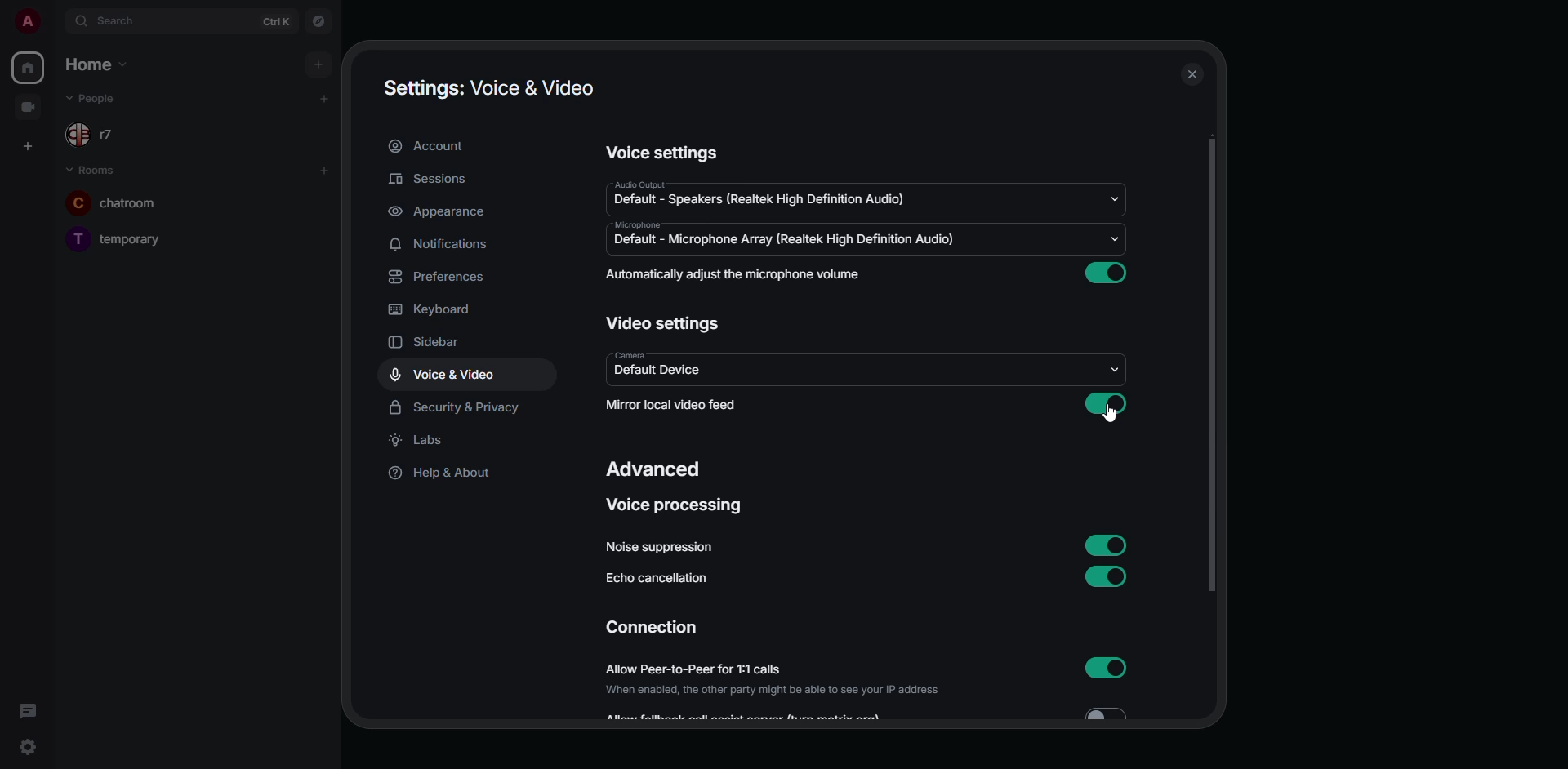 This screenshot has height=769, width=1568. Describe the element at coordinates (100, 135) in the screenshot. I see `r7` at that location.